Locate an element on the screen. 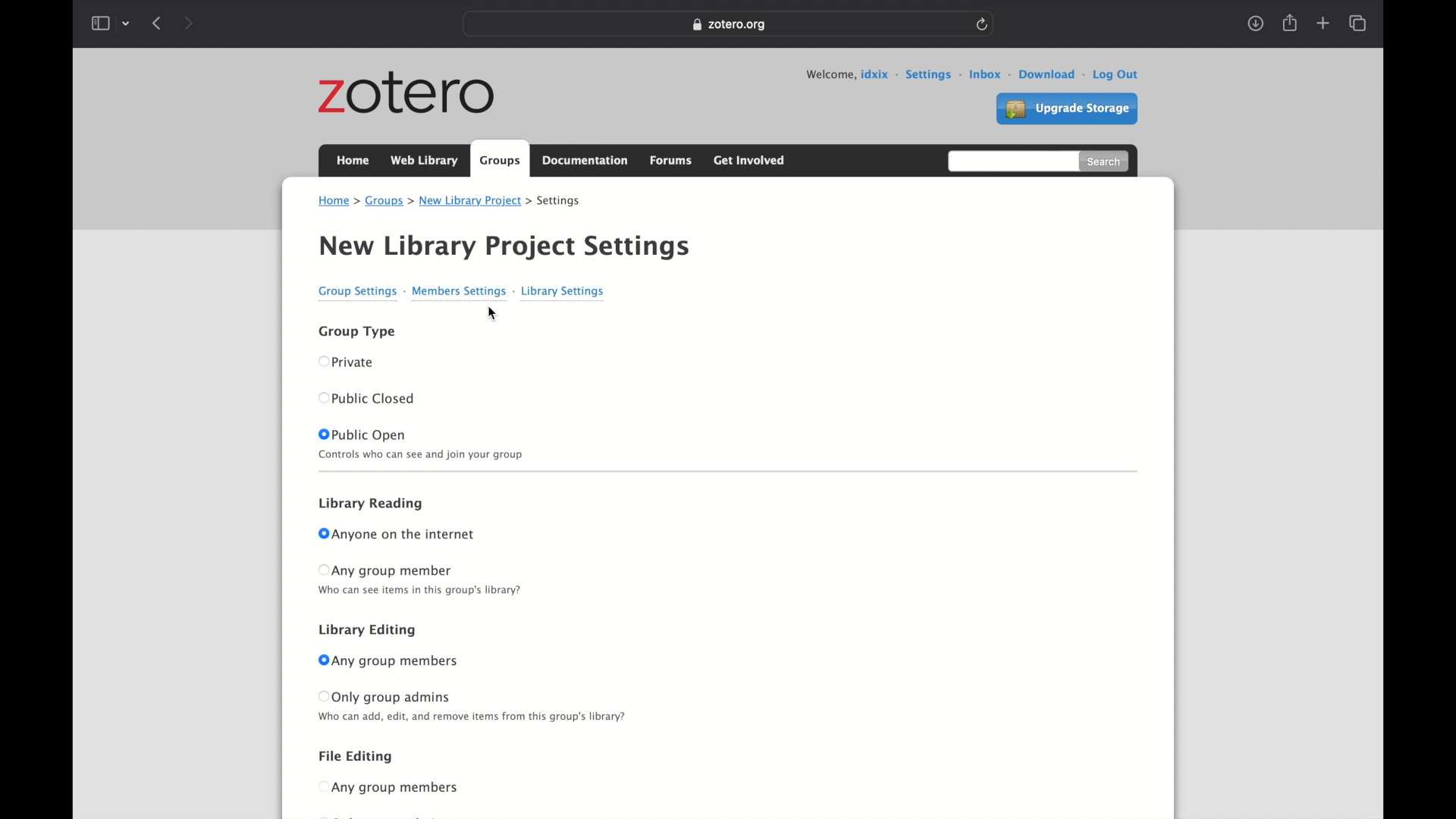  button is located at coordinates (322, 696).